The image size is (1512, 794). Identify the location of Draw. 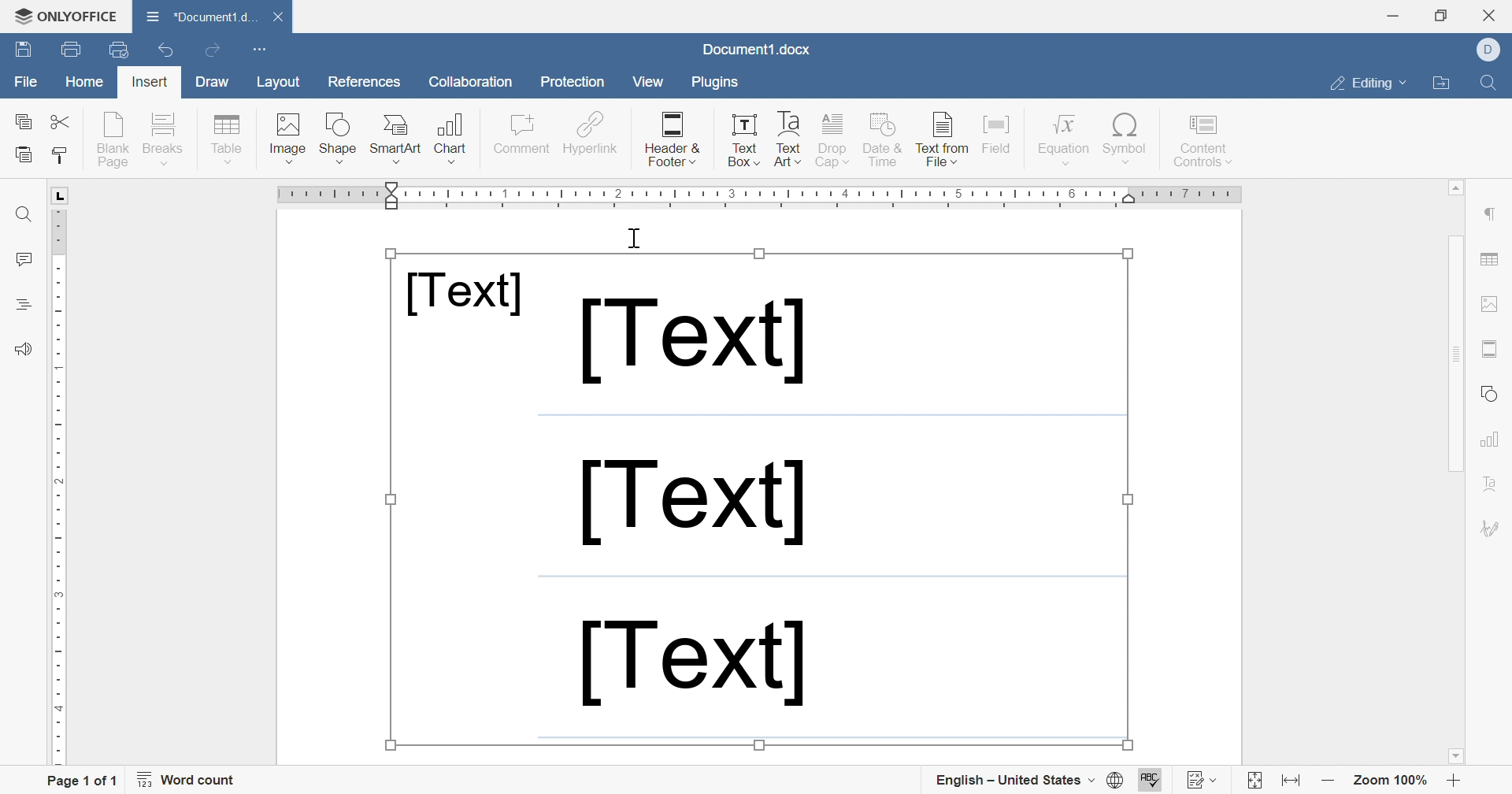
(210, 82).